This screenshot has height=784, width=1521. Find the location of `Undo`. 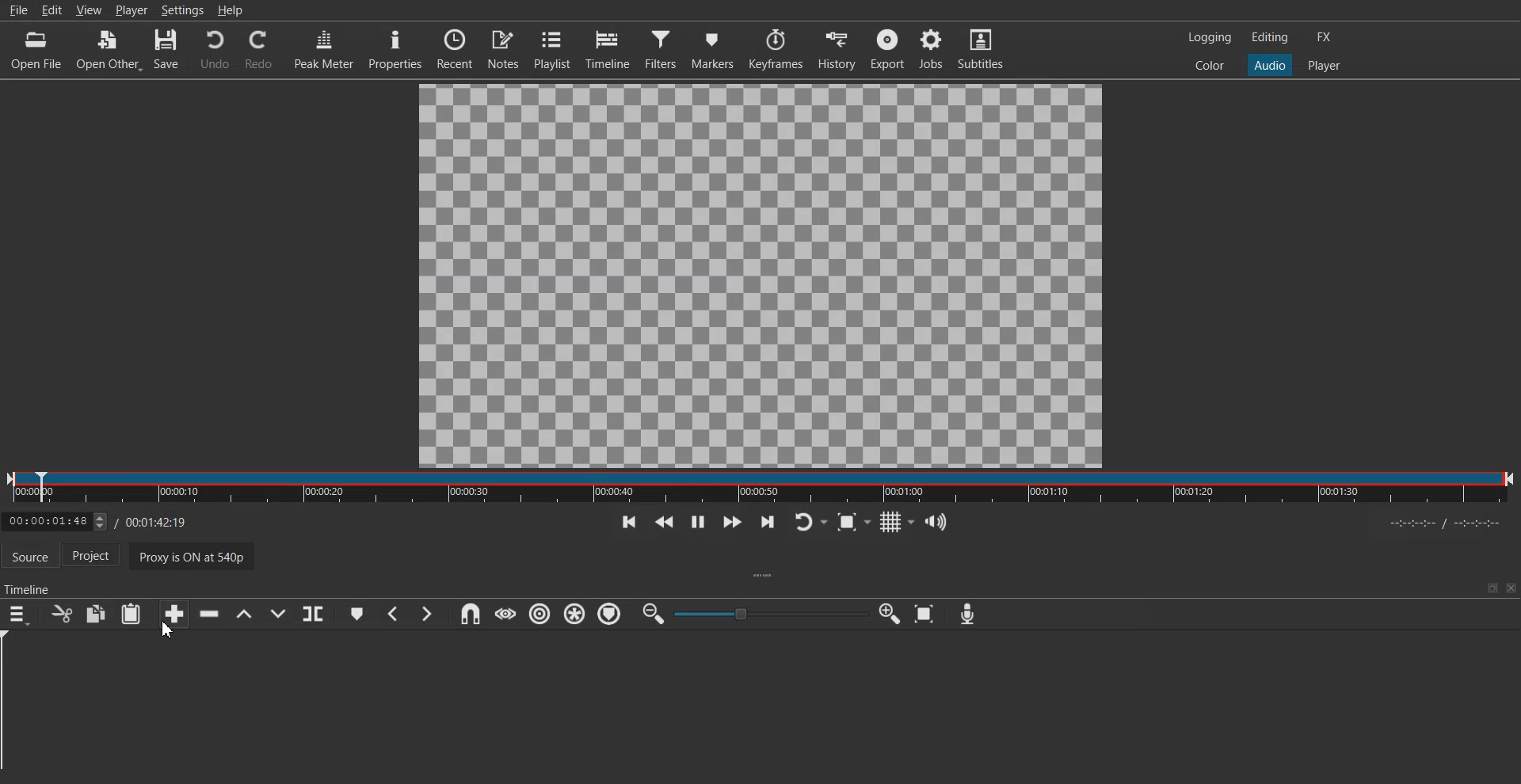

Undo is located at coordinates (214, 50).